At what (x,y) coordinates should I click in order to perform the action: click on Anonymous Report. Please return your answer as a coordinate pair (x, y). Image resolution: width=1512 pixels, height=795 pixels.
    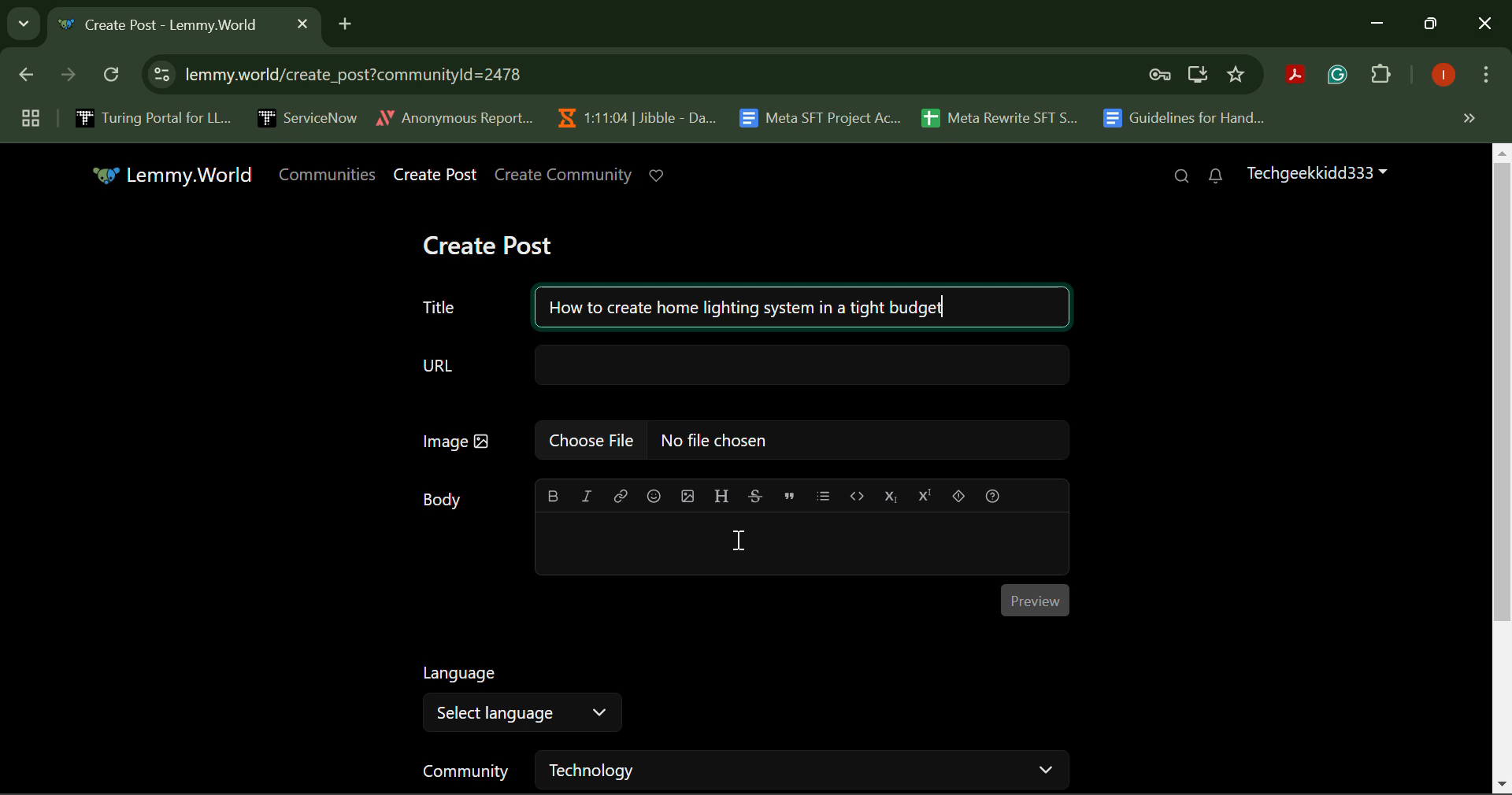
    Looking at the image, I should click on (454, 115).